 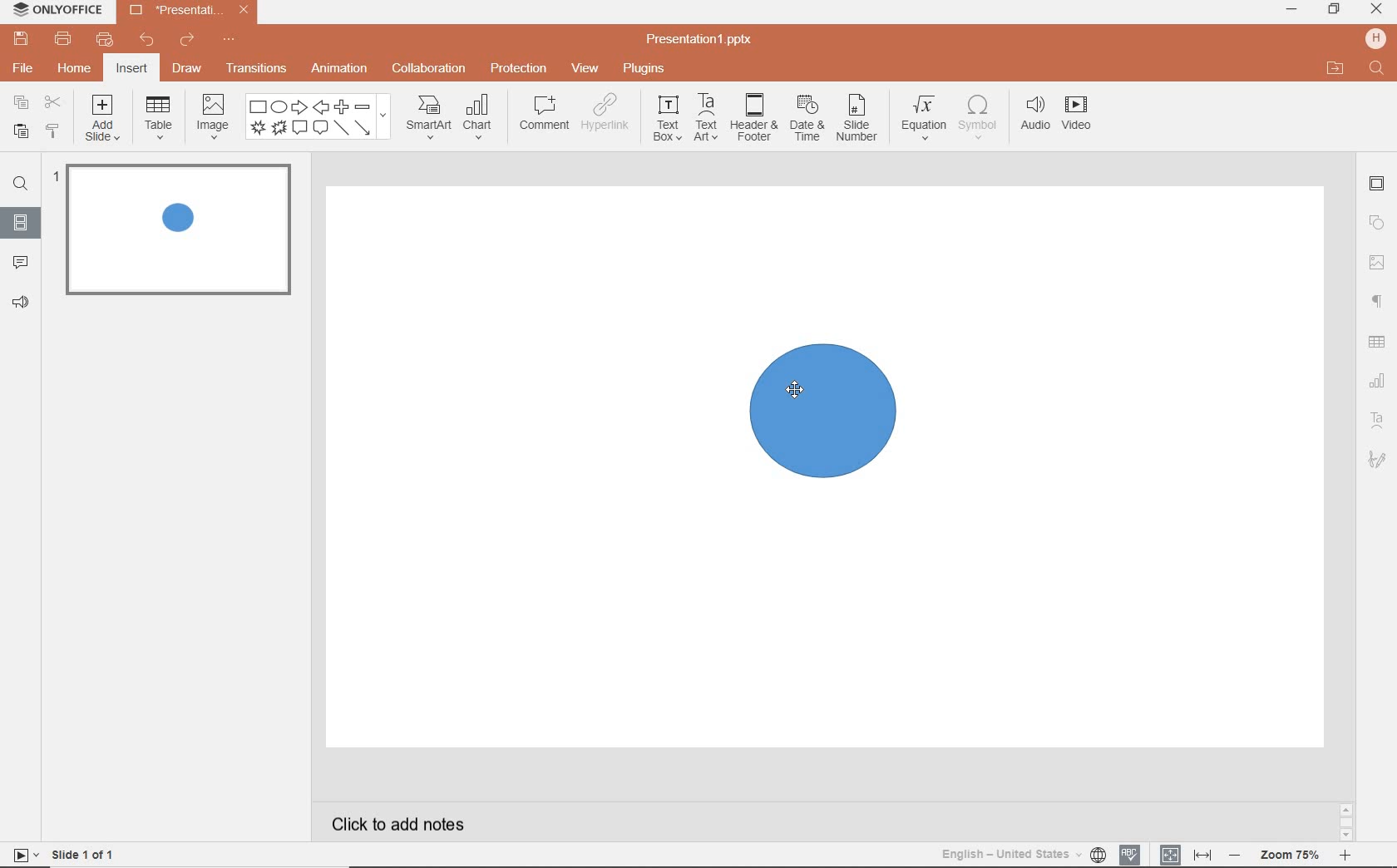 What do you see at coordinates (708, 118) in the screenshot?
I see `text art` at bounding box center [708, 118].